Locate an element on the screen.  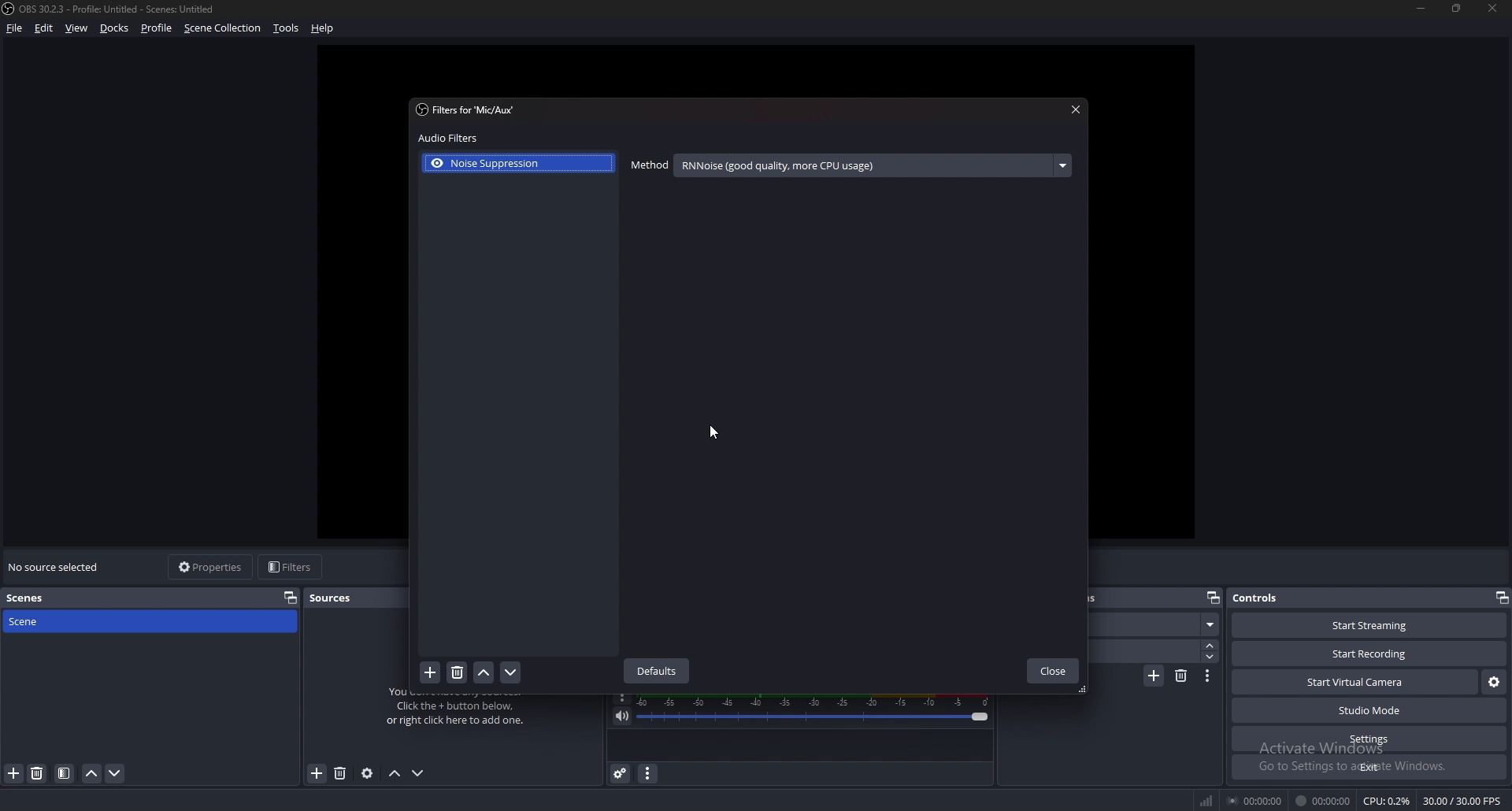
defaults is located at coordinates (658, 672).